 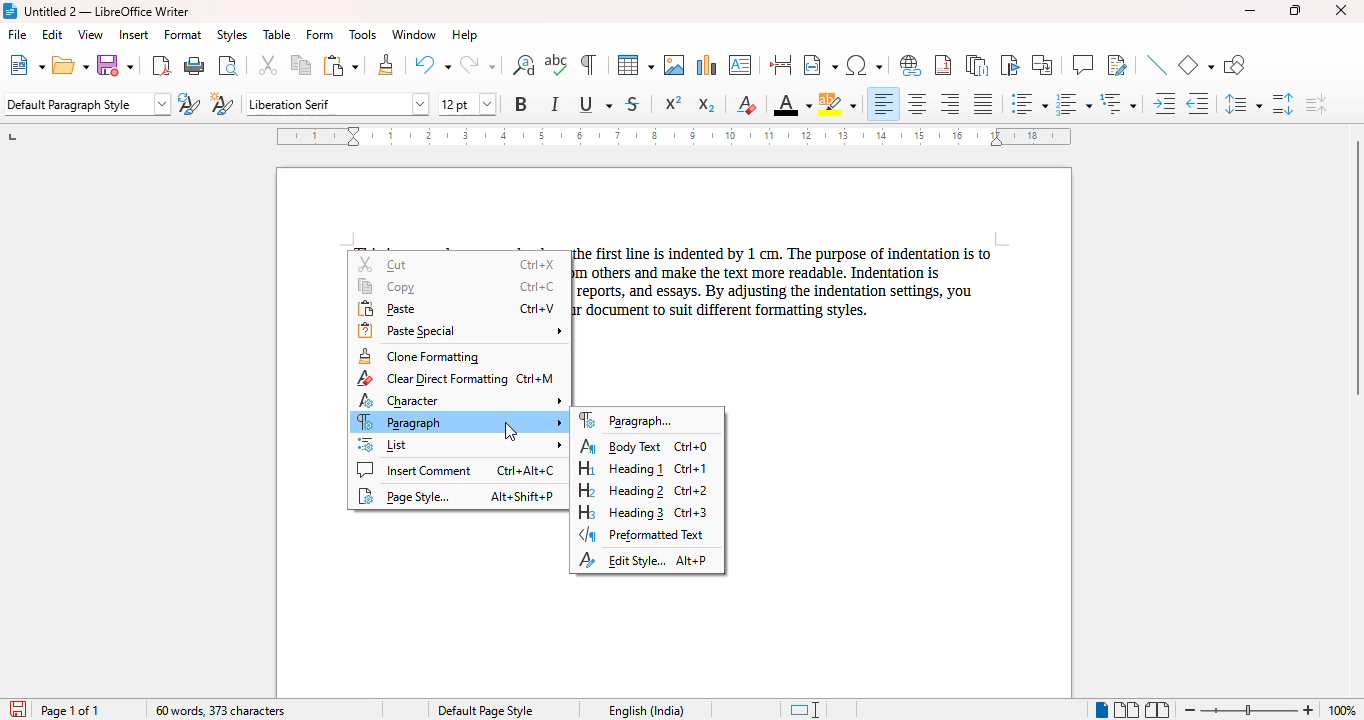 What do you see at coordinates (455, 496) in the screenshot?
I see `page style` at bounding box center [455, 496].